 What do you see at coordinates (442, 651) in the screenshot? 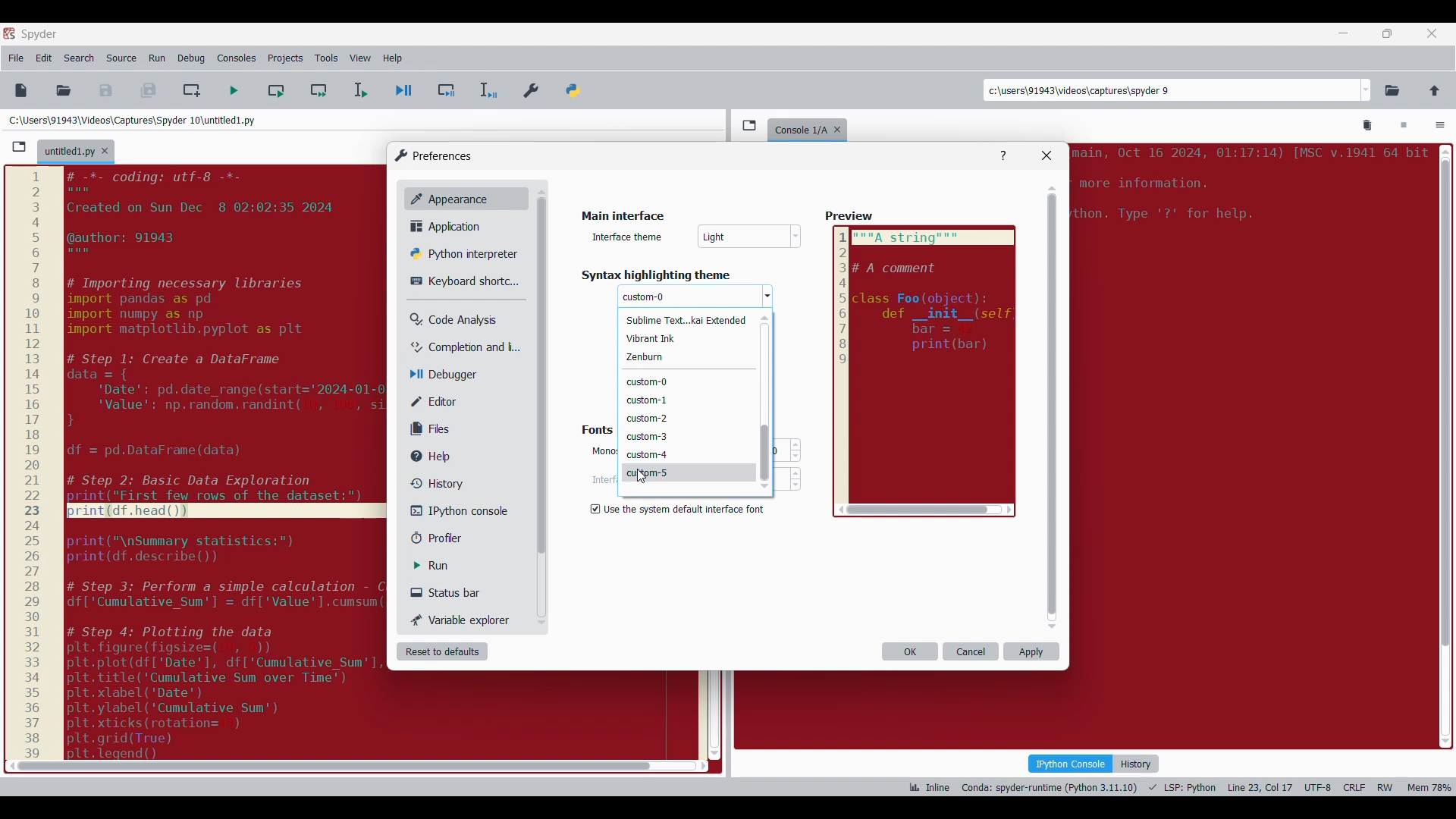
I see `Reset to defaults` at bounding box center [442, 651].